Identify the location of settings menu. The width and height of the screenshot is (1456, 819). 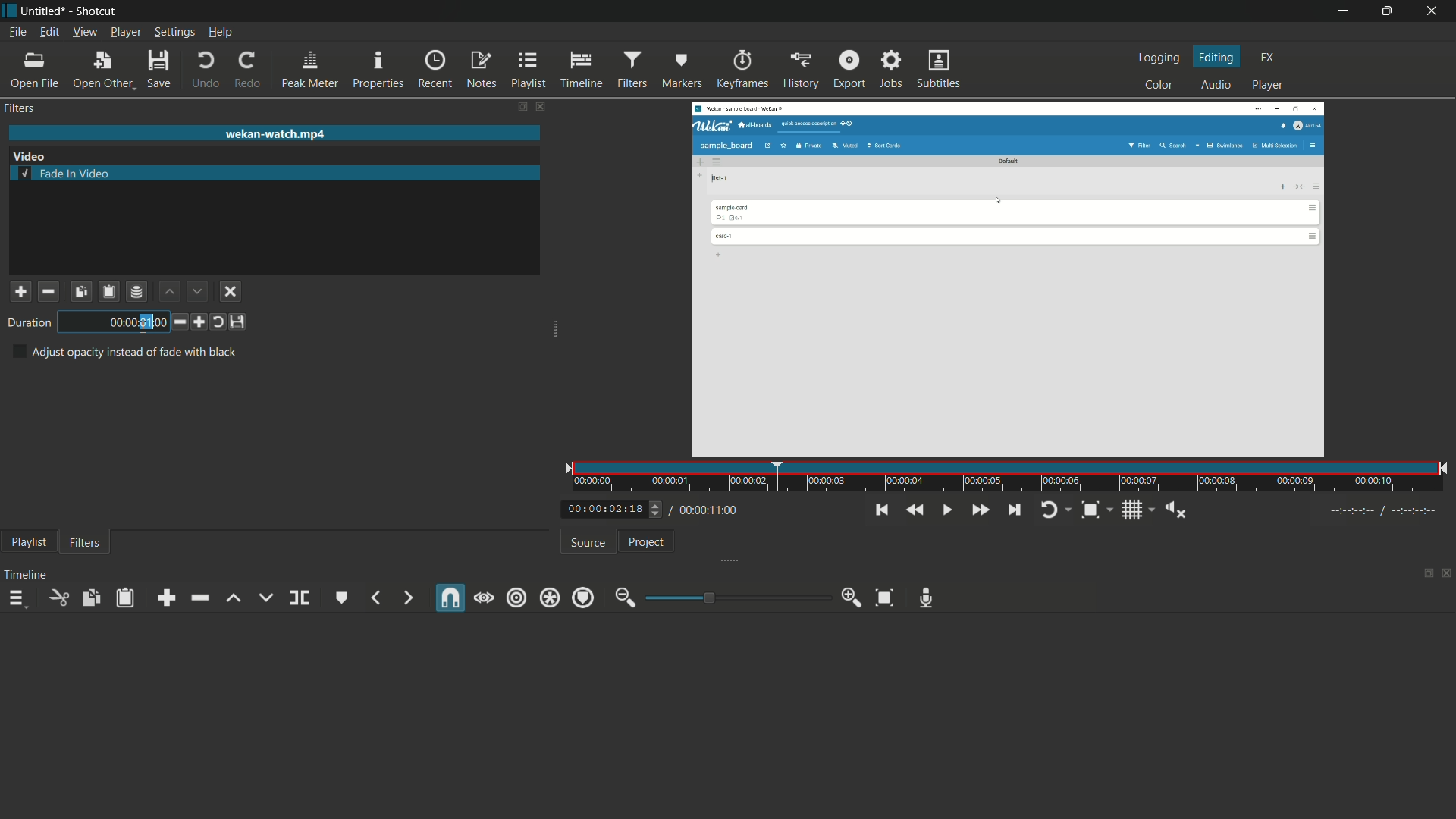
(174, 32).